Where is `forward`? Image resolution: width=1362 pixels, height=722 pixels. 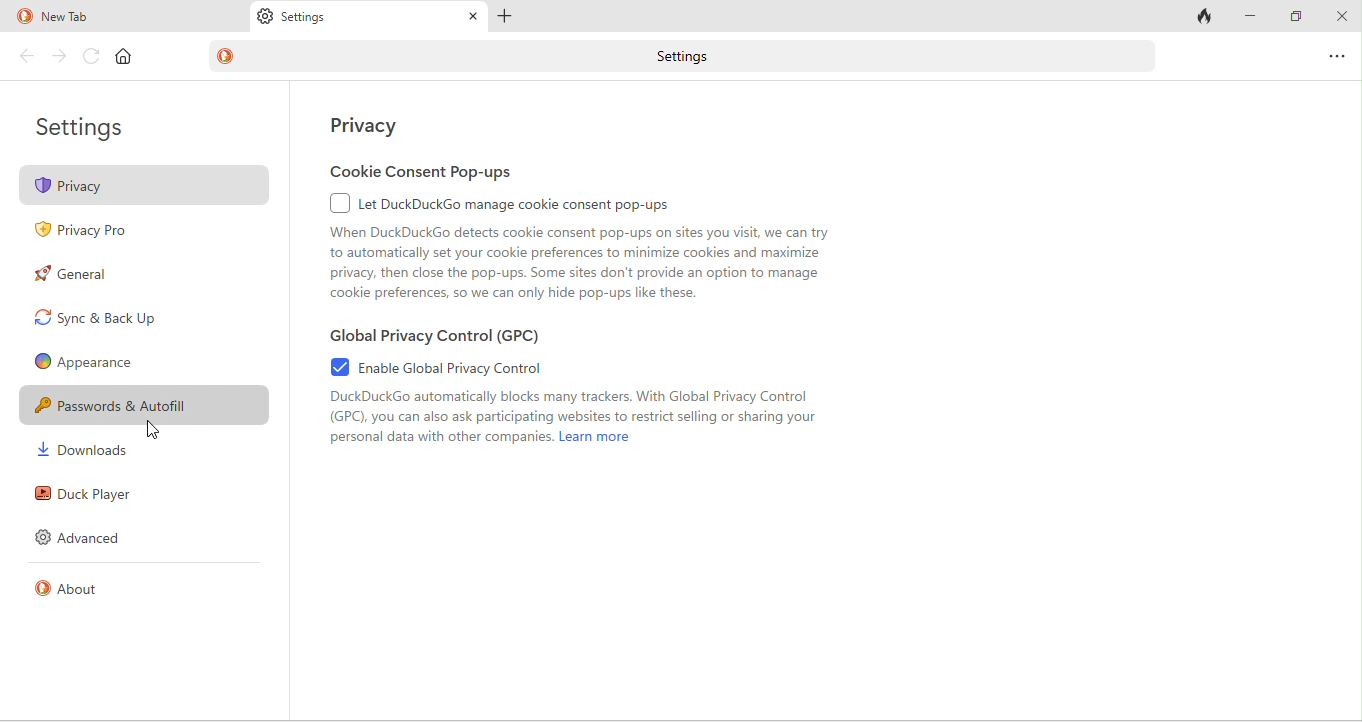 forward is located at coordinates (59, 56).